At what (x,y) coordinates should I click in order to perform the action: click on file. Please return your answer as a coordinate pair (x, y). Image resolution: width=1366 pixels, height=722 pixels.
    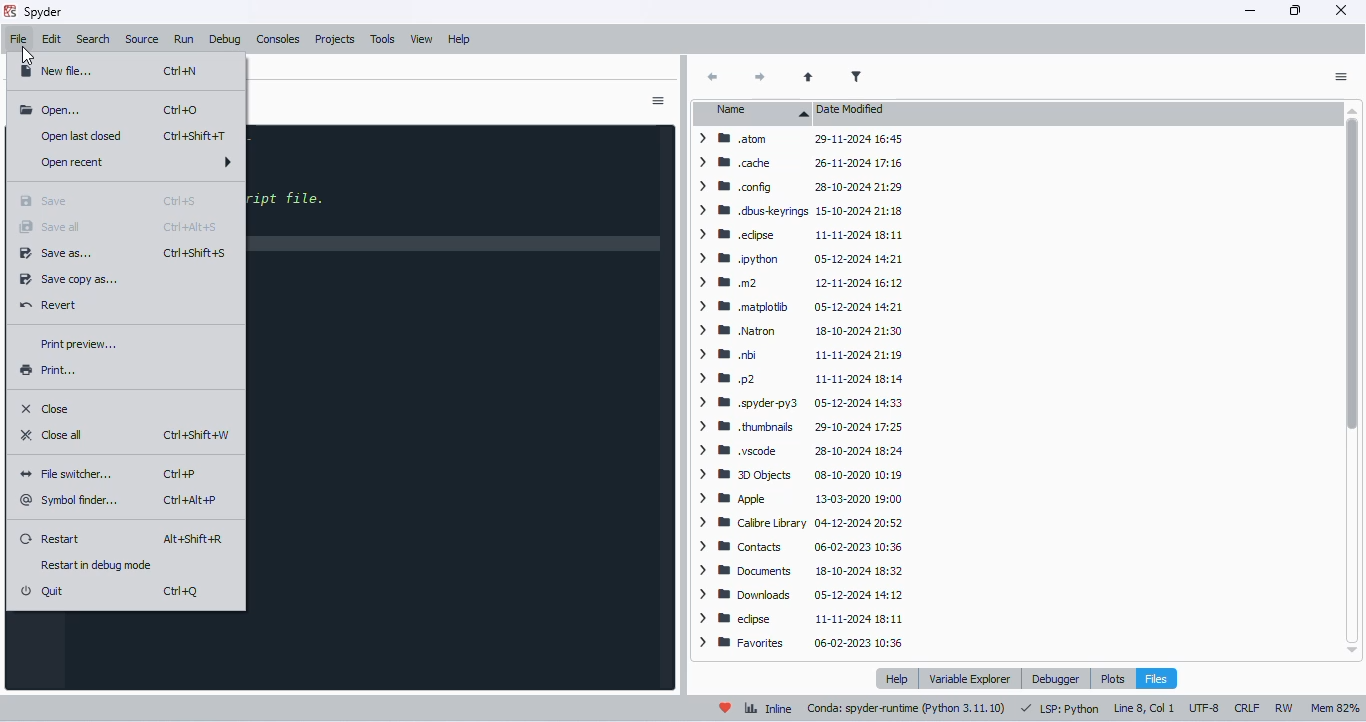
    Looking at the image, I should click on (19, 39).